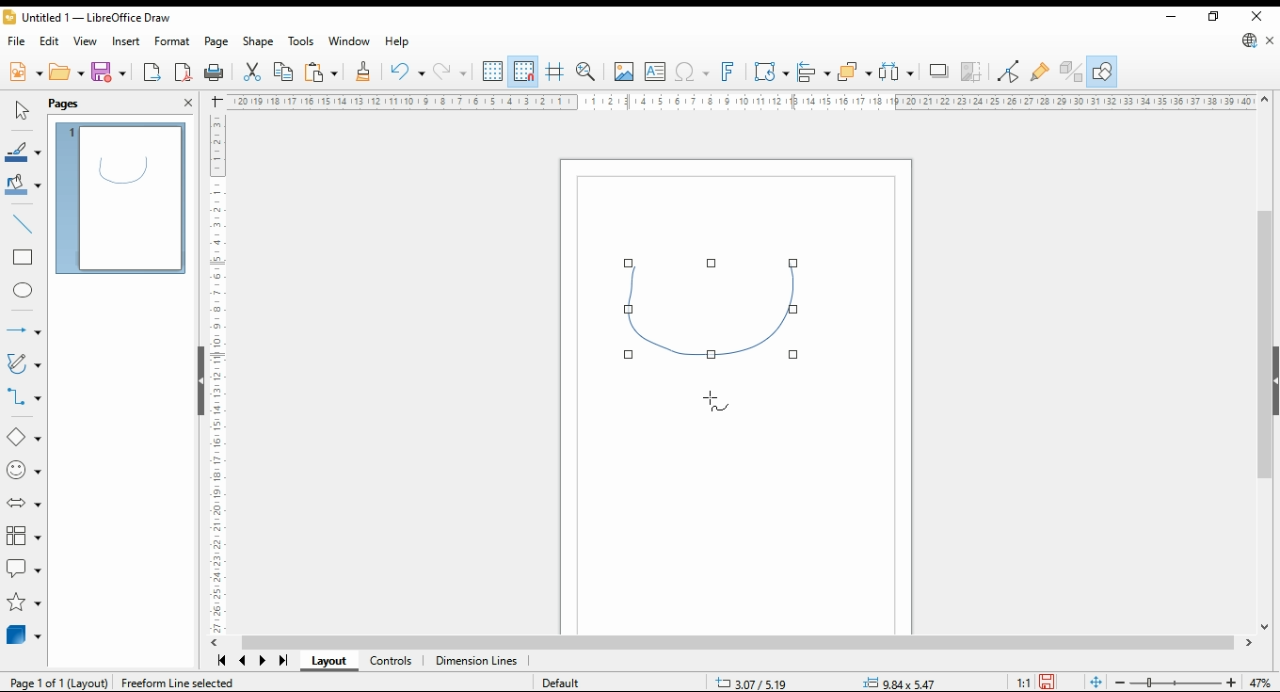  I want to click on default, so click(561, 683).